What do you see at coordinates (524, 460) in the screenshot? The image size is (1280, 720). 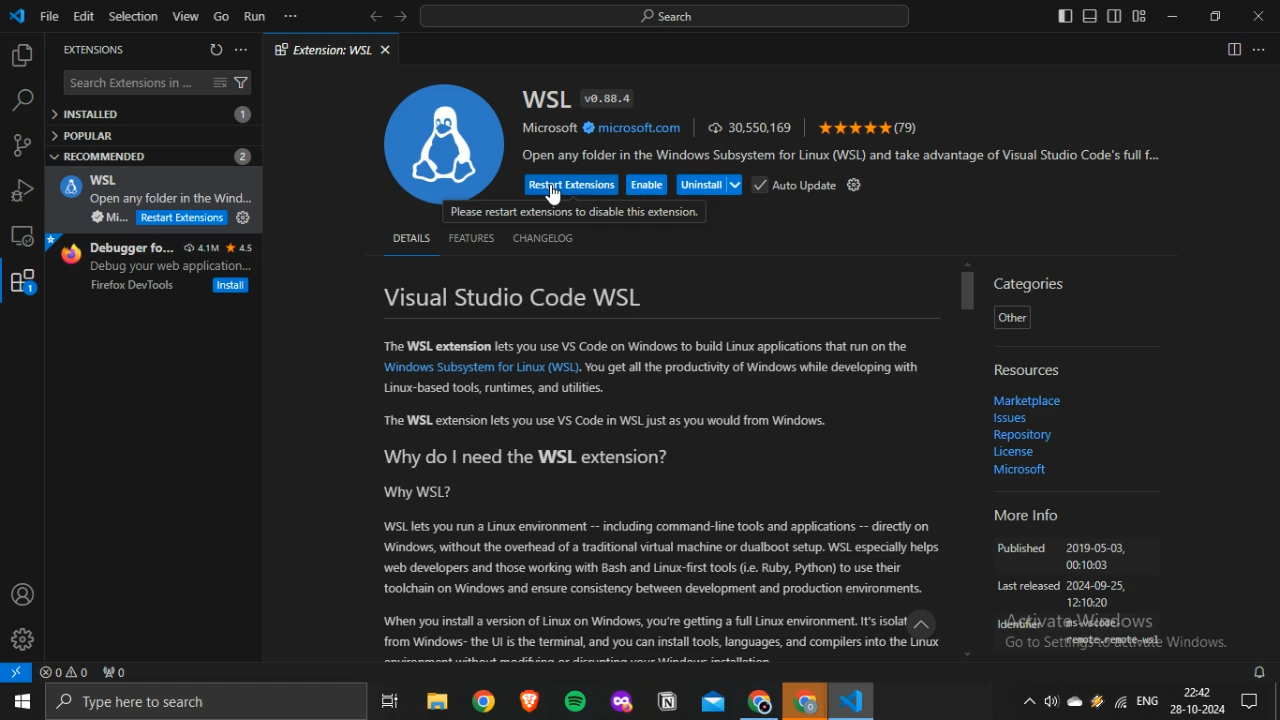 I see `Why do | need the WSL extension?` at bounding box center [524, 460].